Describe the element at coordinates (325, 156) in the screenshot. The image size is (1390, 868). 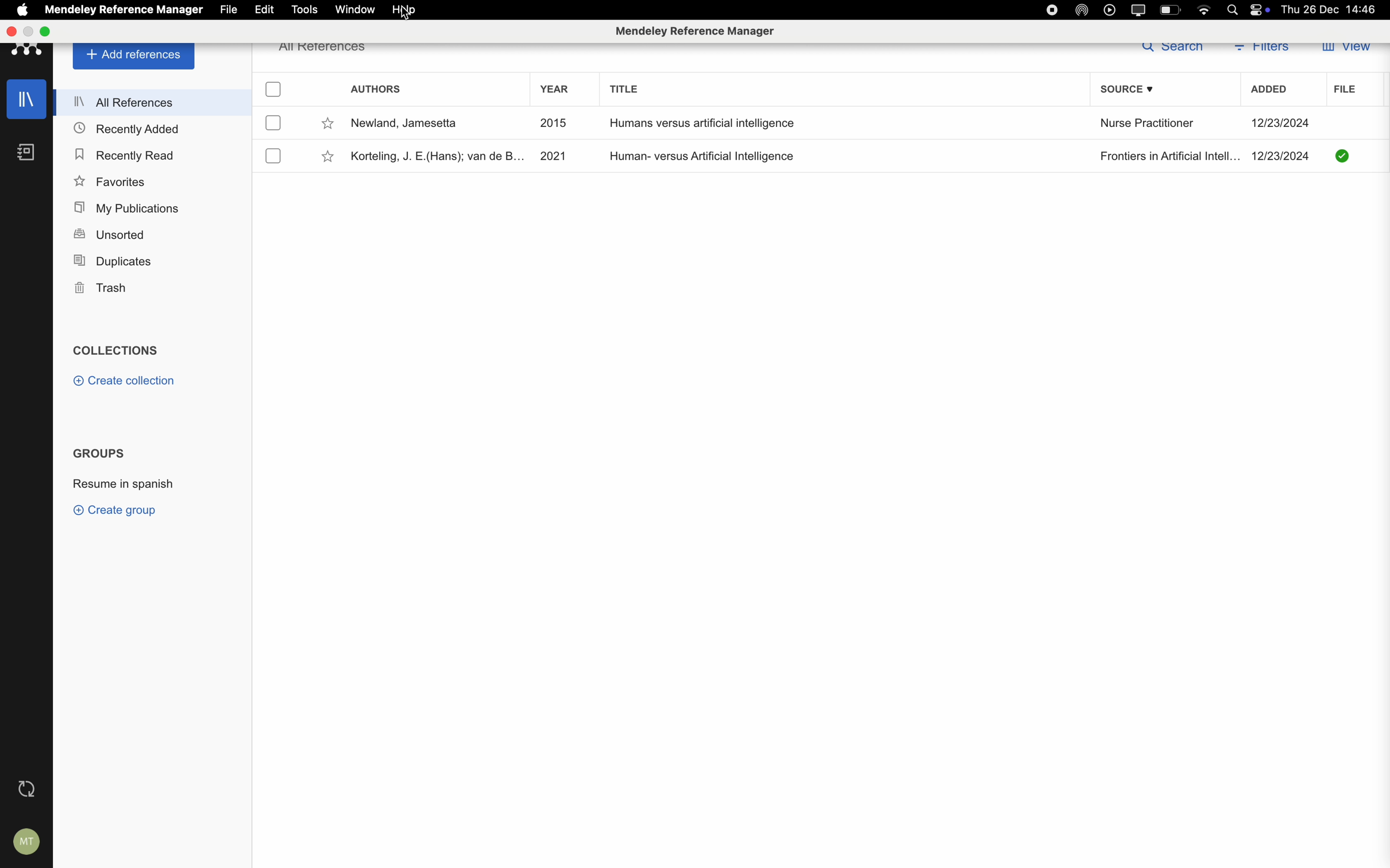
I see `favorite` at that location.